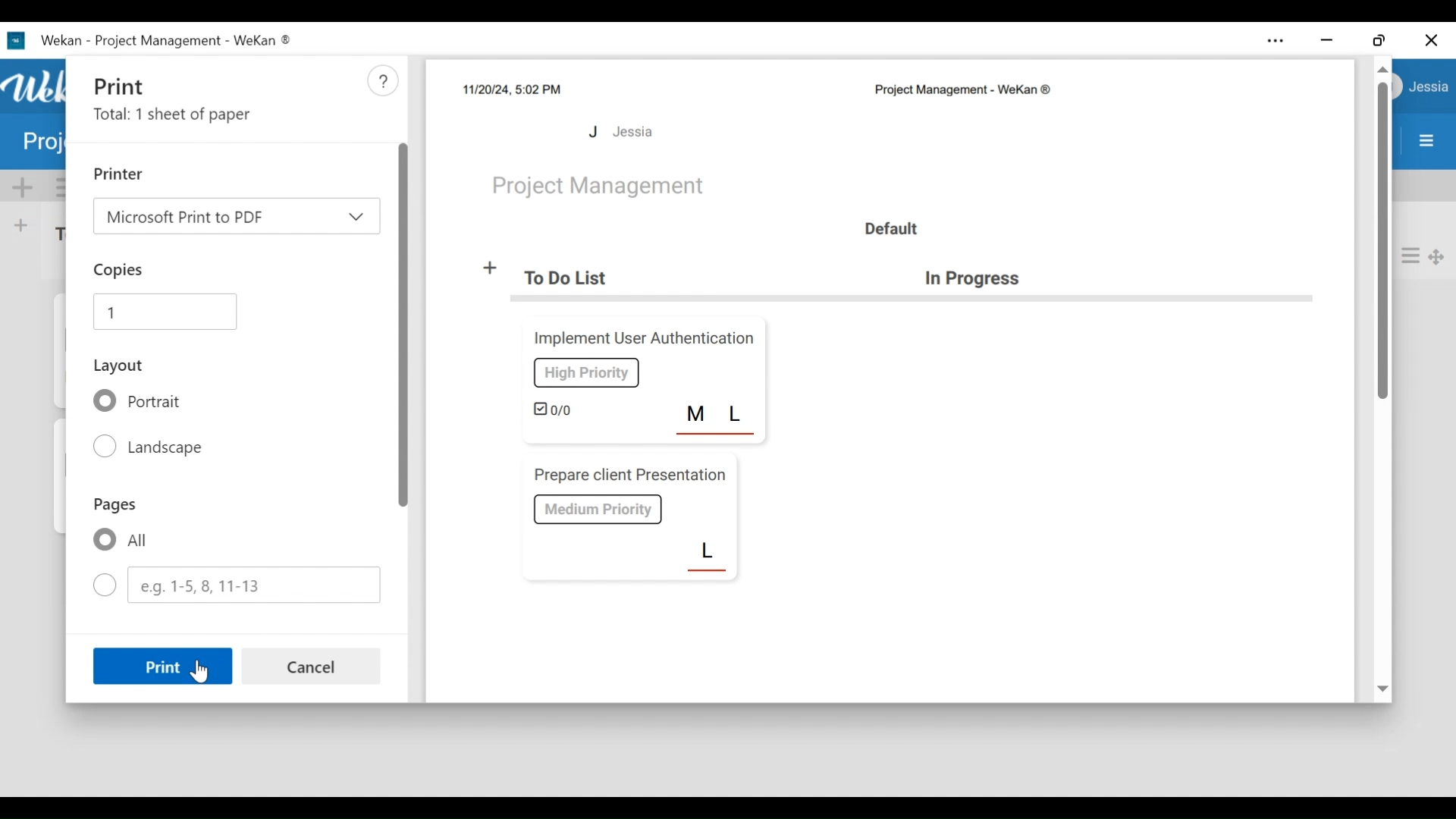 Image resolution: width=1456 pixels, height=819 pixels. What do you see at coordinates (599, 509) in the screenshot?
I see `label` at bounding box center [599, 509].